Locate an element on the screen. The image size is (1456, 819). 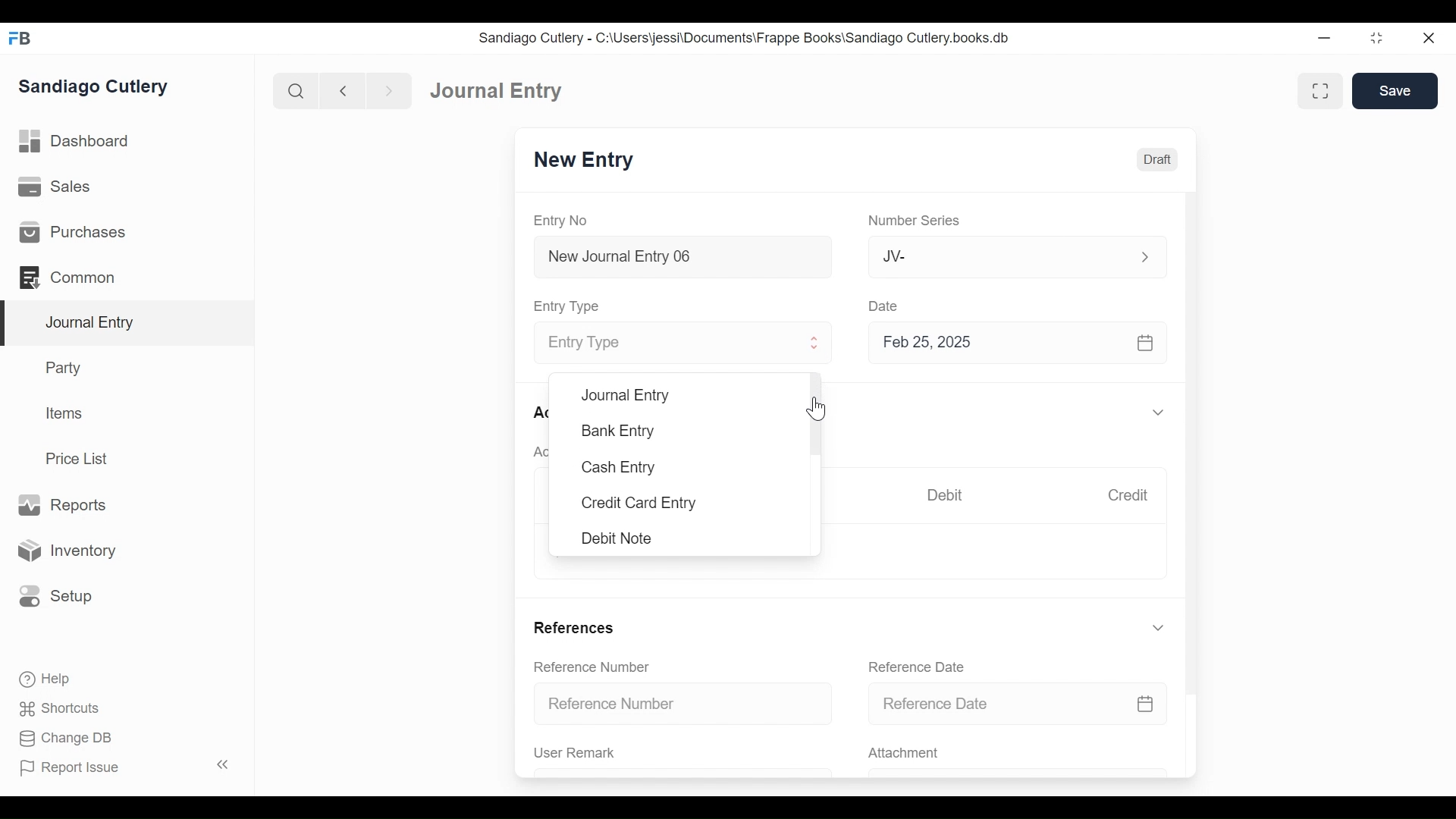
Reports is located at coordinates (61, 506).